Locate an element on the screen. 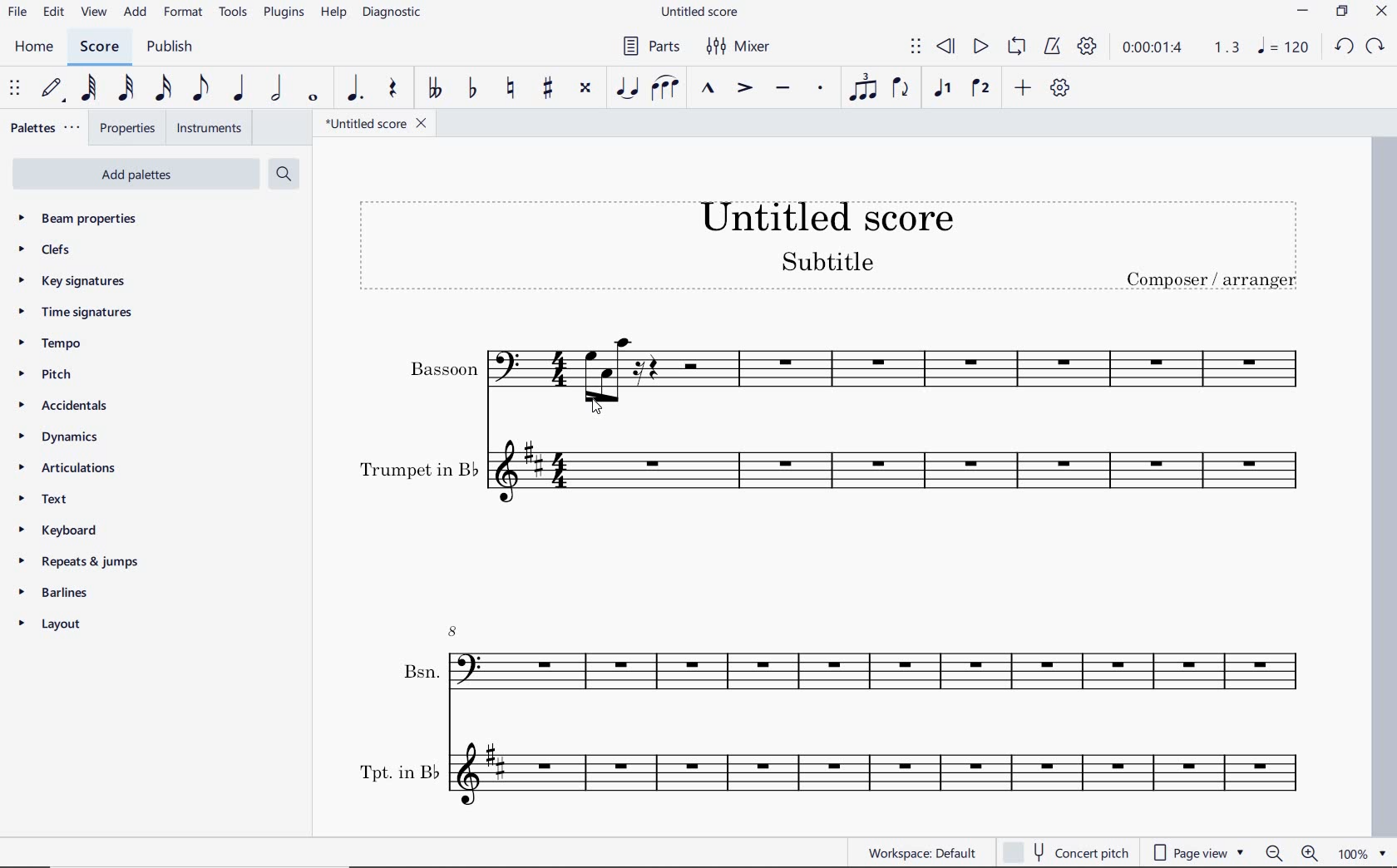 The width and height of the screenshot is (1397, 868). slur is located at coordinates (666, 87).